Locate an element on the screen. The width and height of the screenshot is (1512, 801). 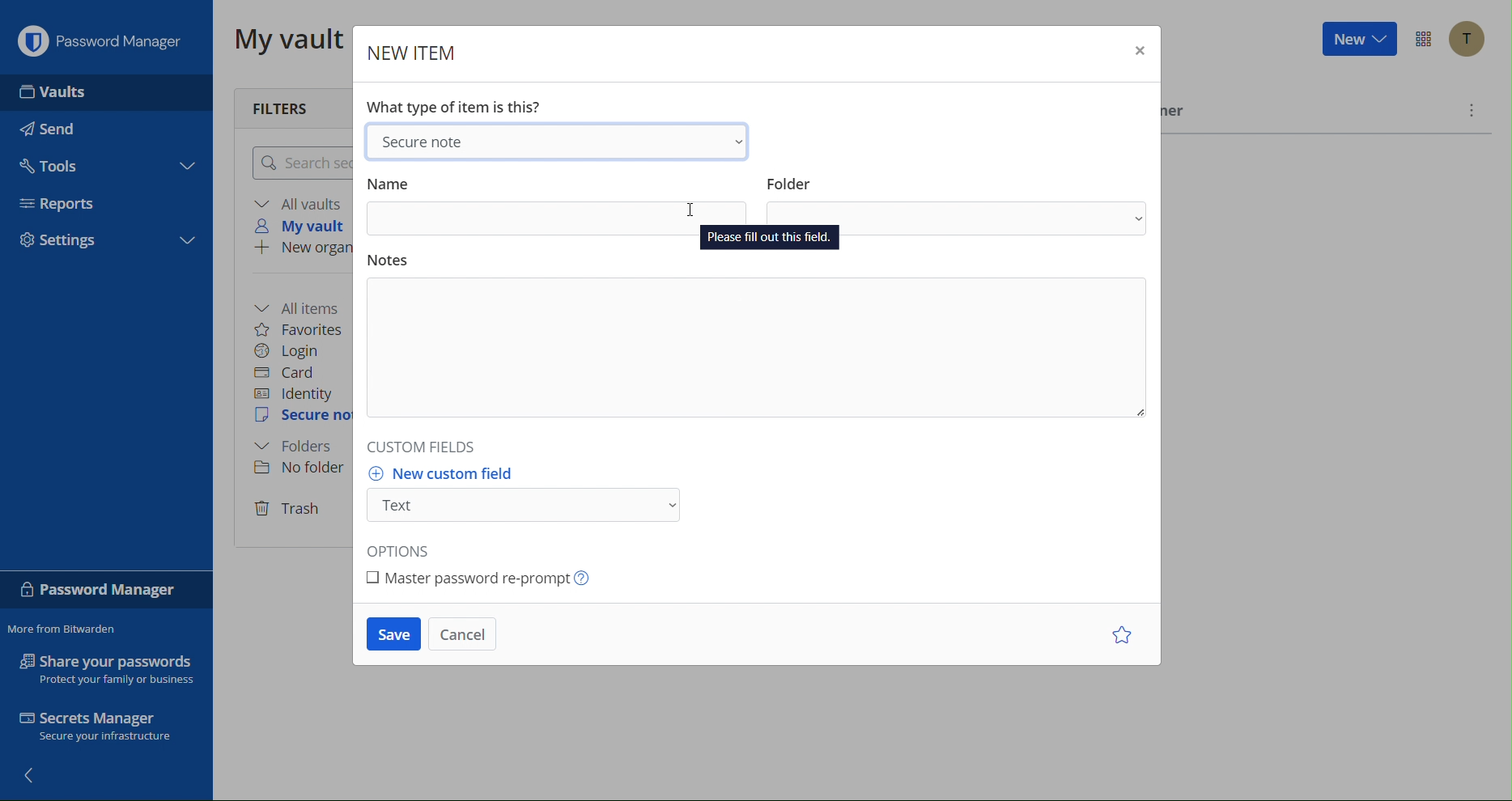
New organization is located at coordinates (302, 249).